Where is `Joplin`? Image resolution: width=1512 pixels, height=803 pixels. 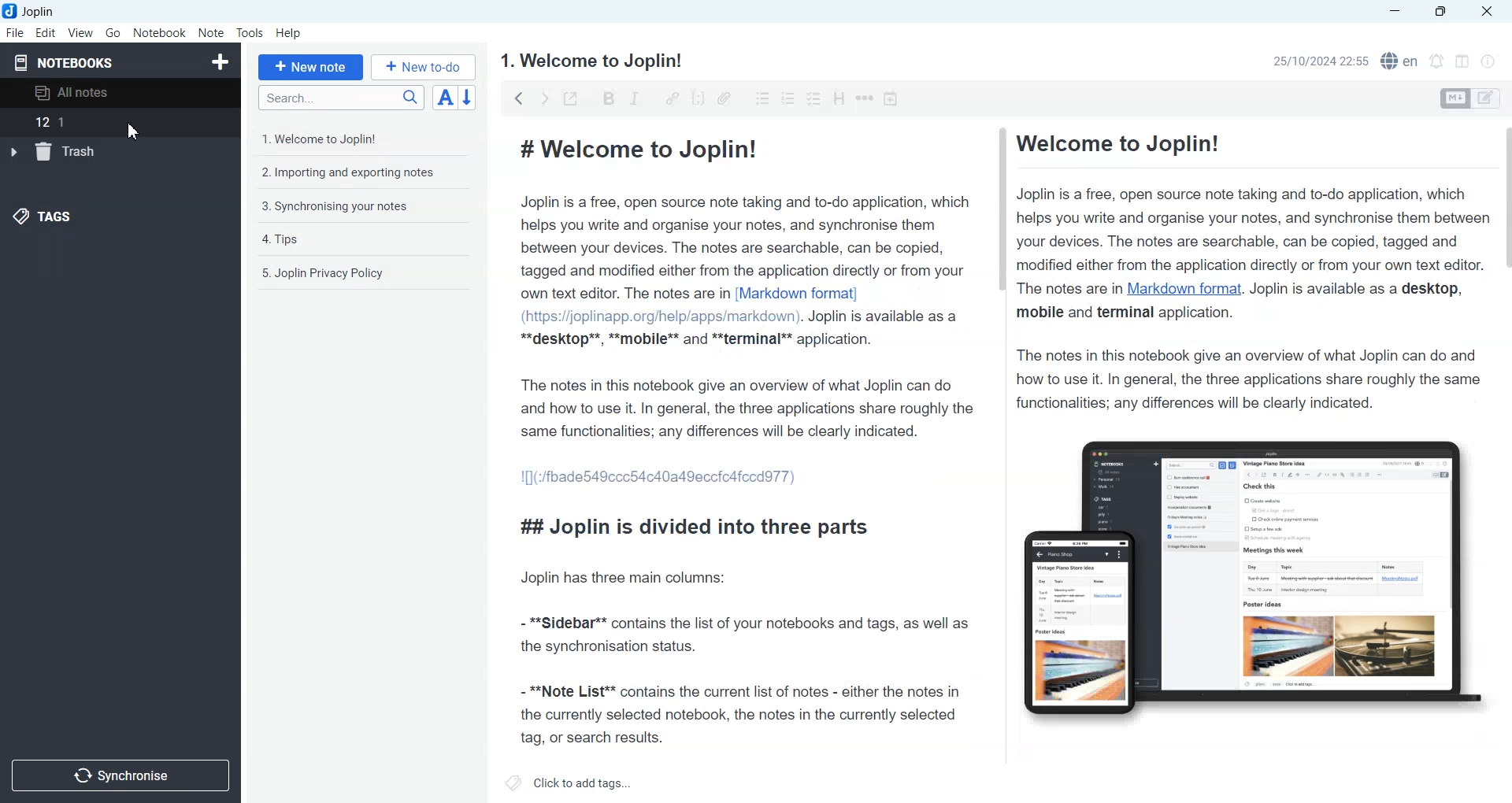
Joplin is located at coordinates (34, 11).